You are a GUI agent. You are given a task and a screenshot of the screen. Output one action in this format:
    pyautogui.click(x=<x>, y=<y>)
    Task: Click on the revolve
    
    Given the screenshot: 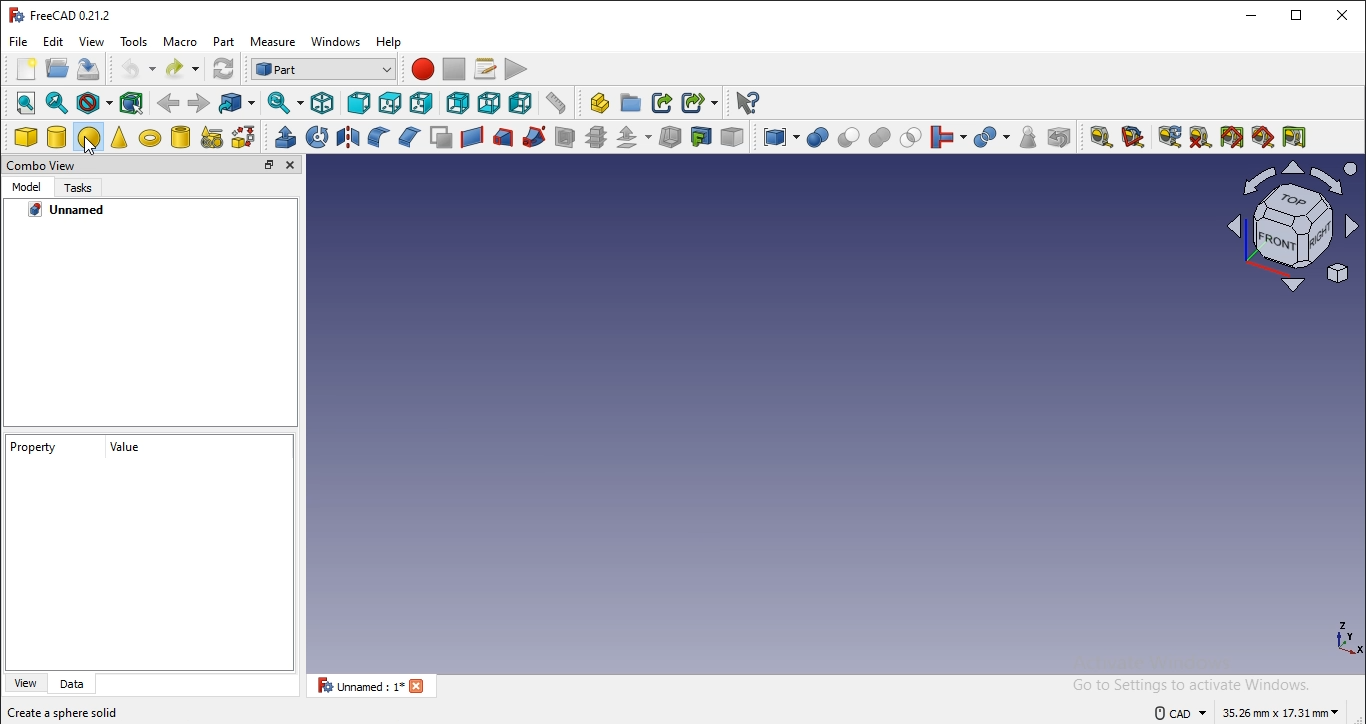 What is the action you would take?
    pyautogui.click(x=316, y=137)
    